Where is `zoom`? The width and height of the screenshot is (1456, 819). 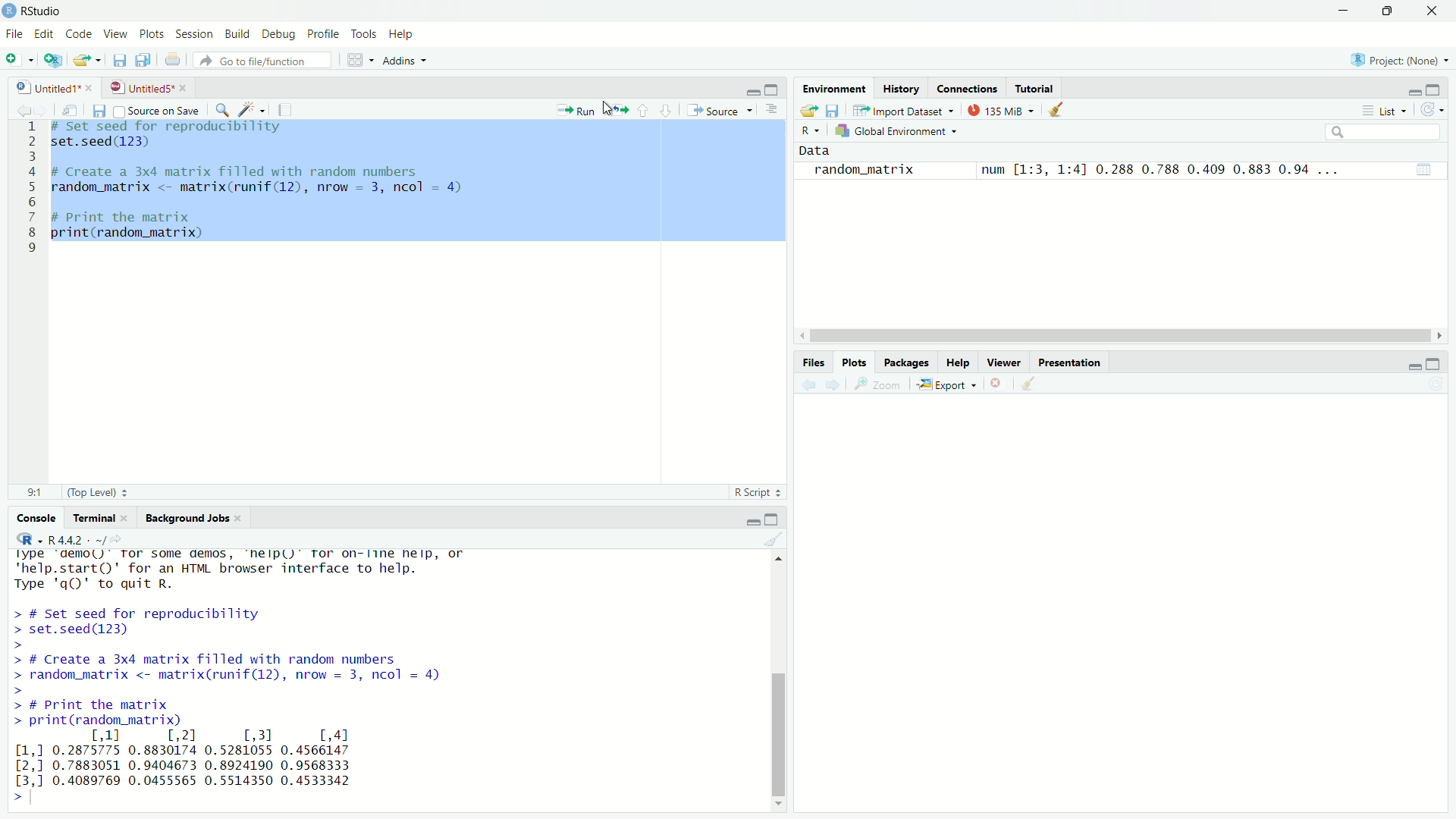 zoom is located at coordinates (876, 387).